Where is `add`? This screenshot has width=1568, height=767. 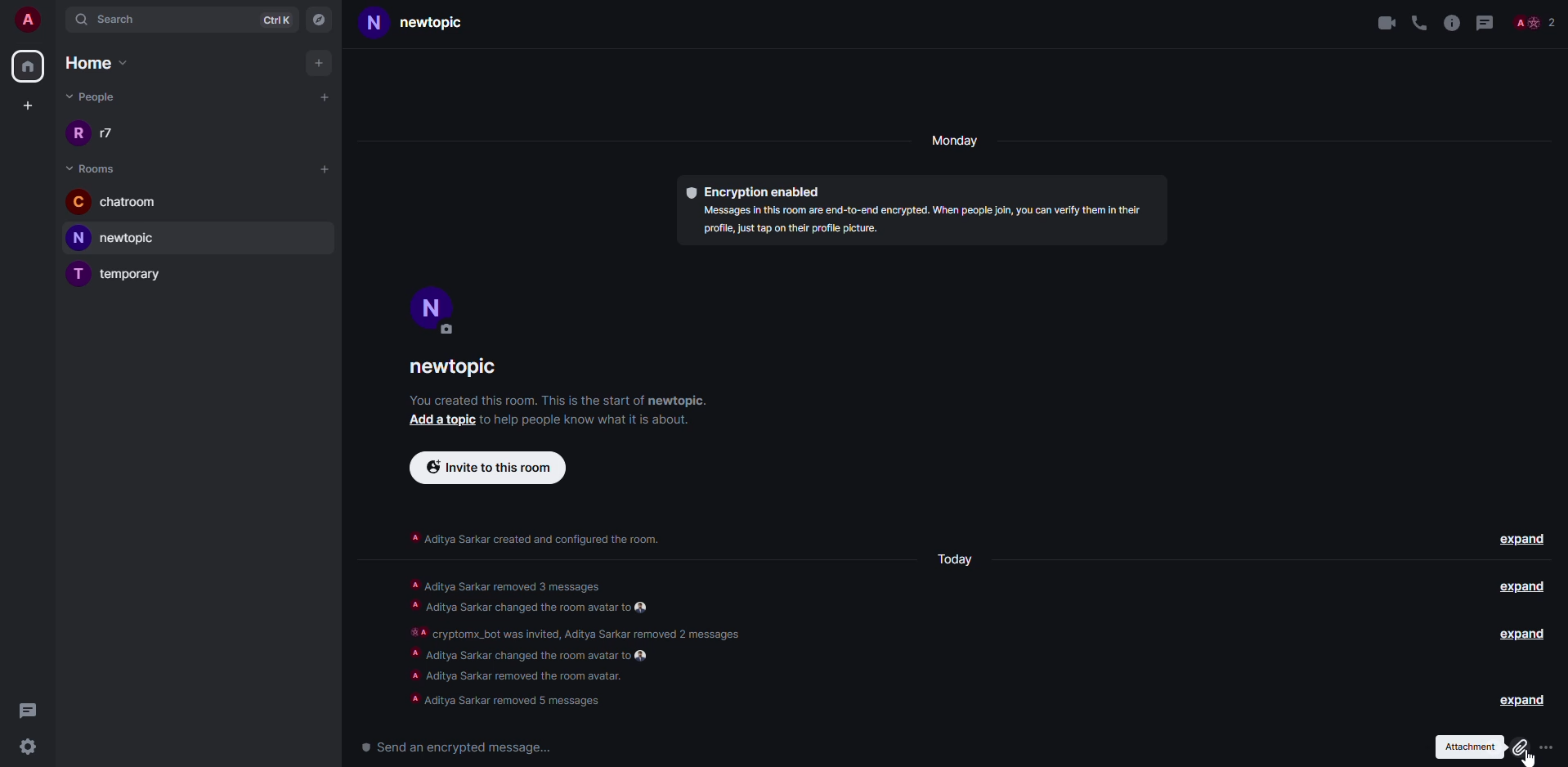
add is located at coordinates (322, 168).